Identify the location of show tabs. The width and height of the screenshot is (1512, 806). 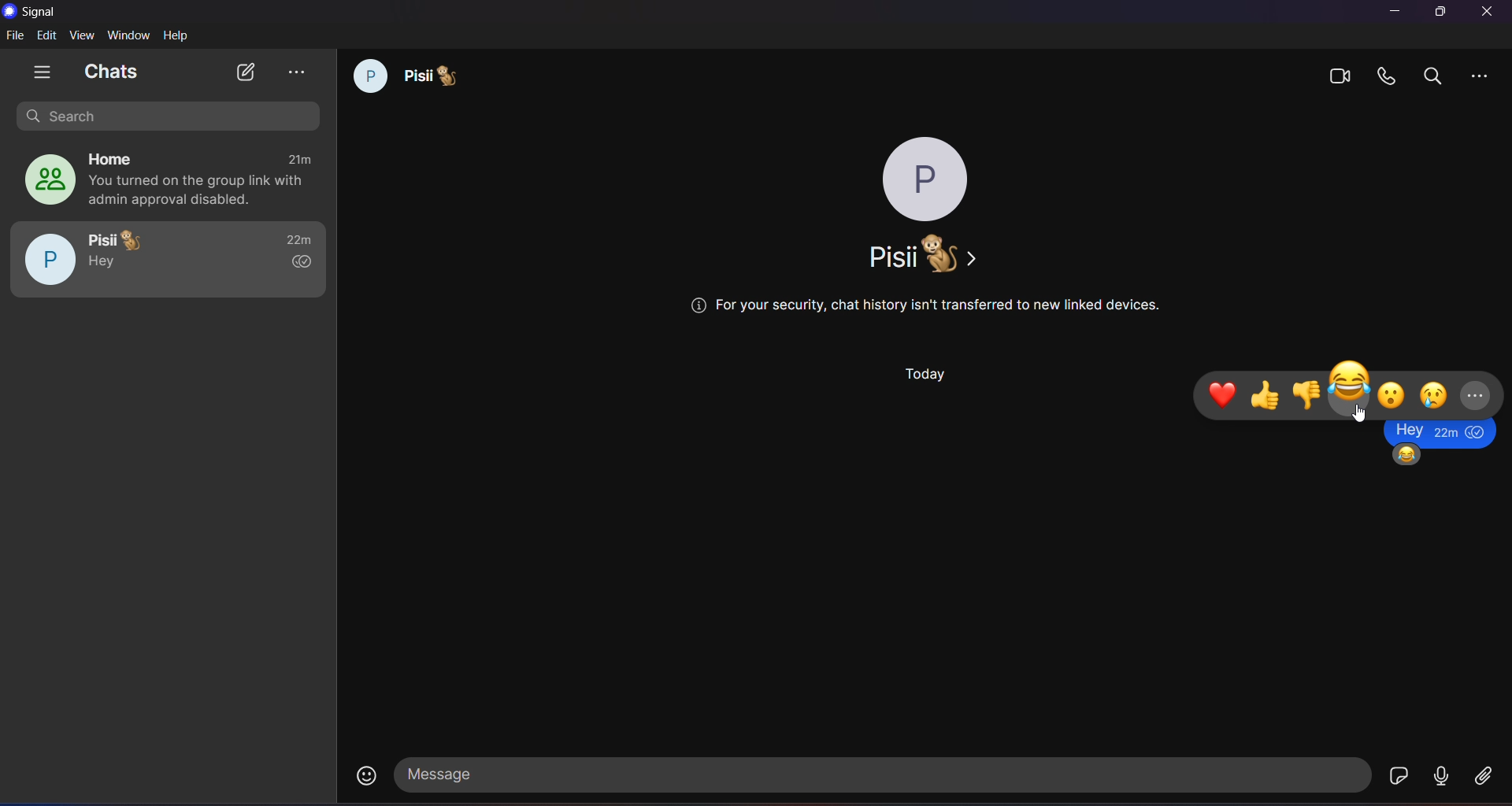
(43, 74).